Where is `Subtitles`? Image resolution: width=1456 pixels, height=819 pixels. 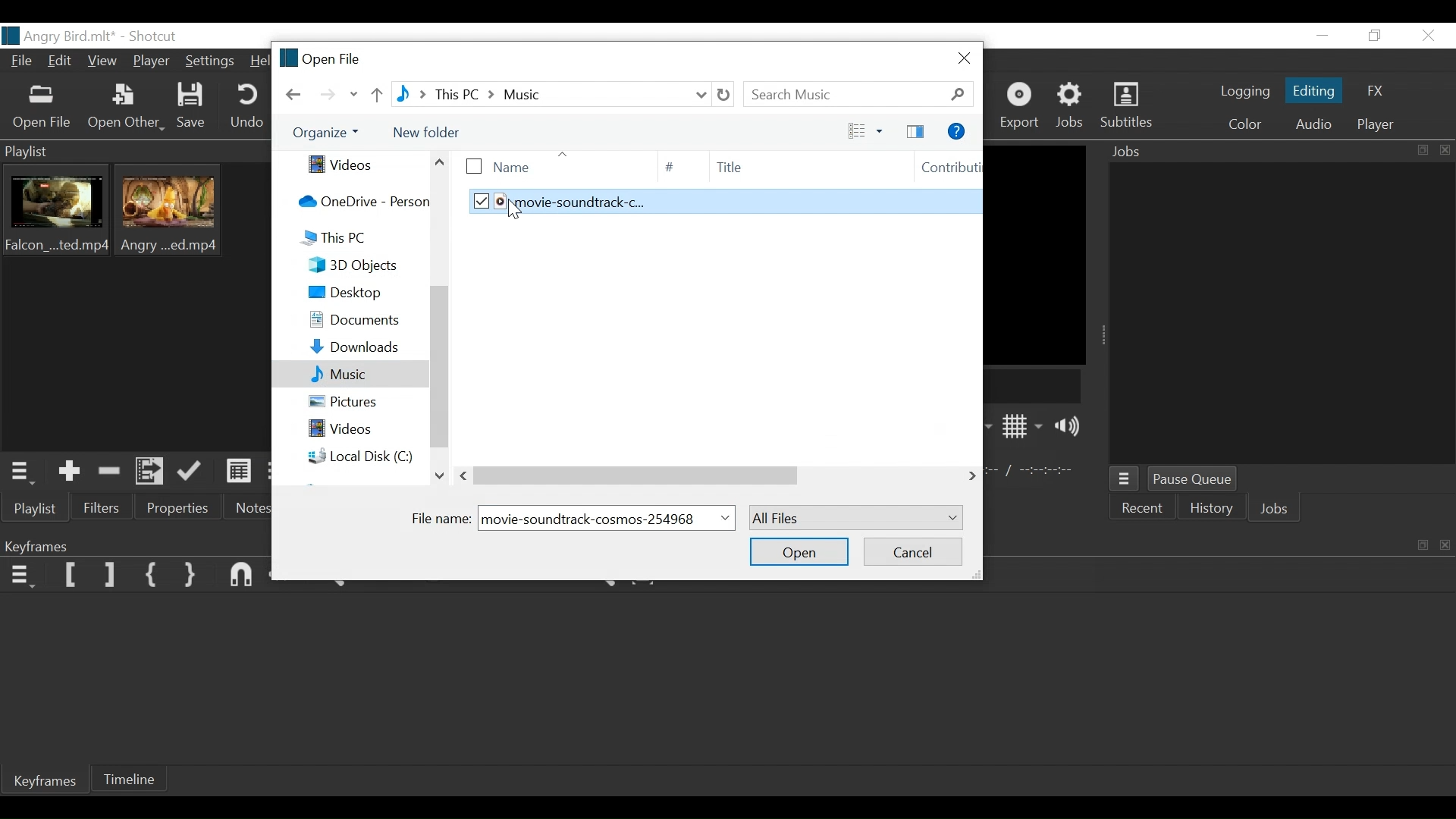
Subtitles is located at coordinates (1132, 106).